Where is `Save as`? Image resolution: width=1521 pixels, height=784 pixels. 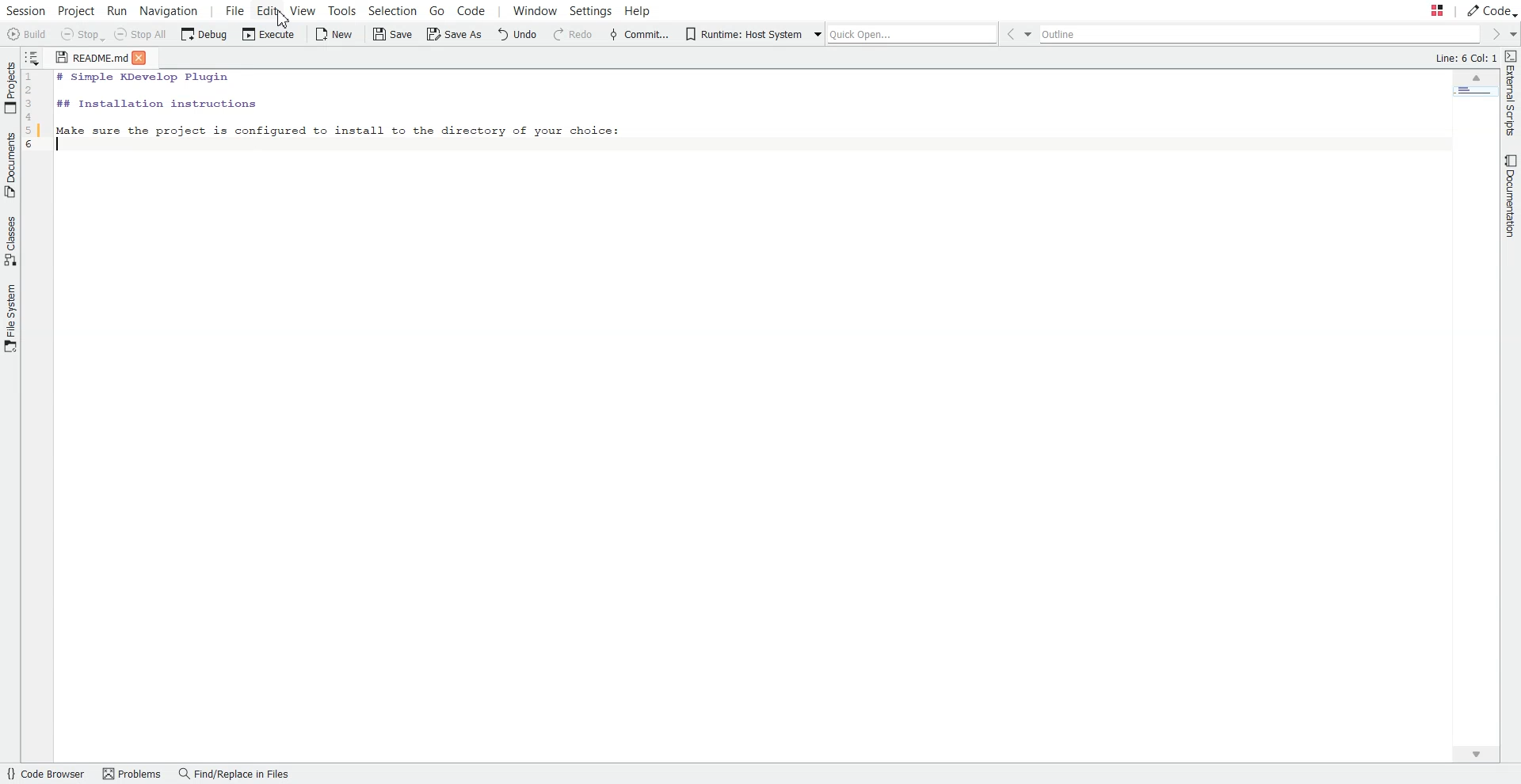 Save as is located at coordinates (453, 36).